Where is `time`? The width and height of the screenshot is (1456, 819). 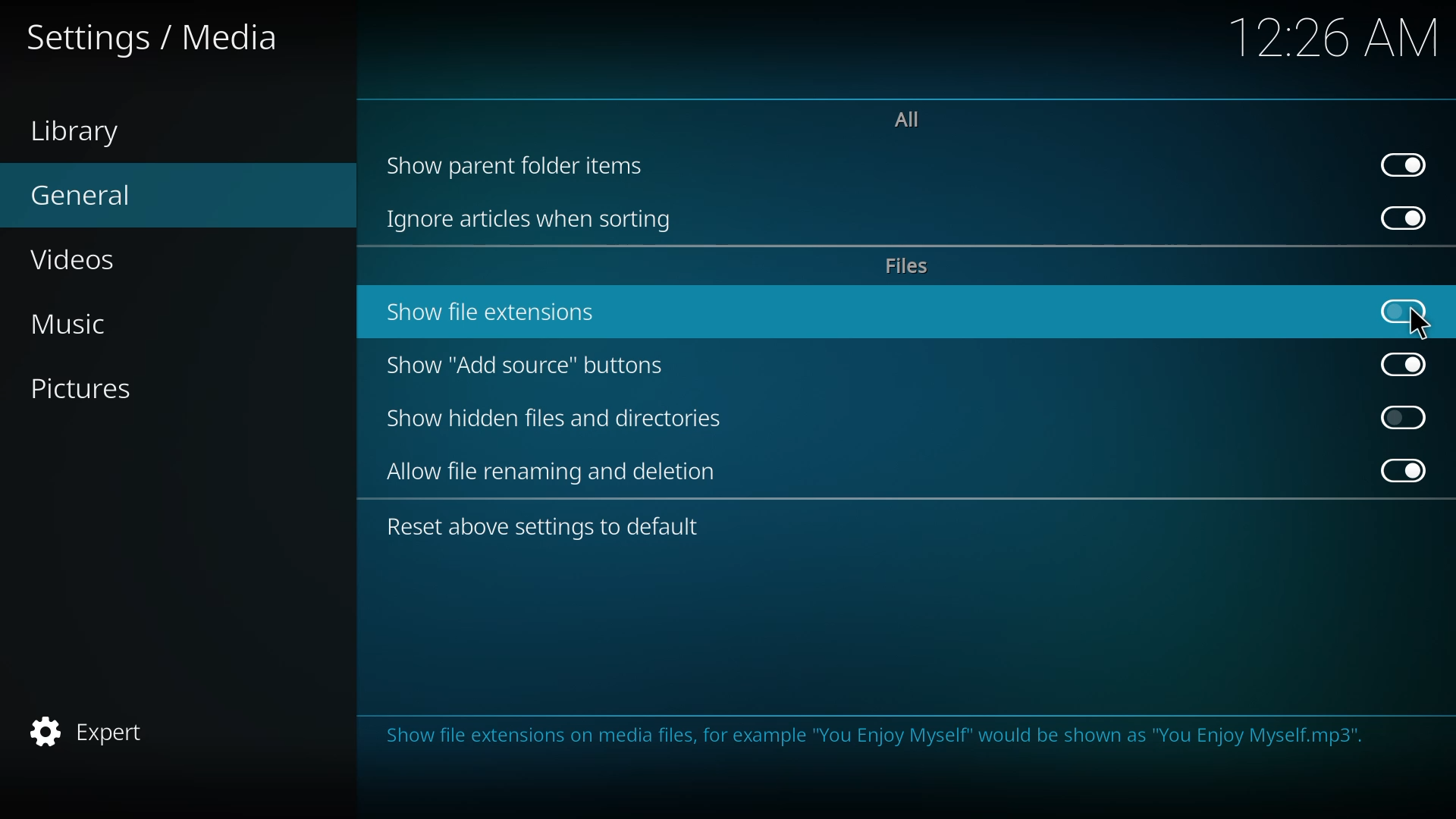 time is located at coordinates (1338, 37).